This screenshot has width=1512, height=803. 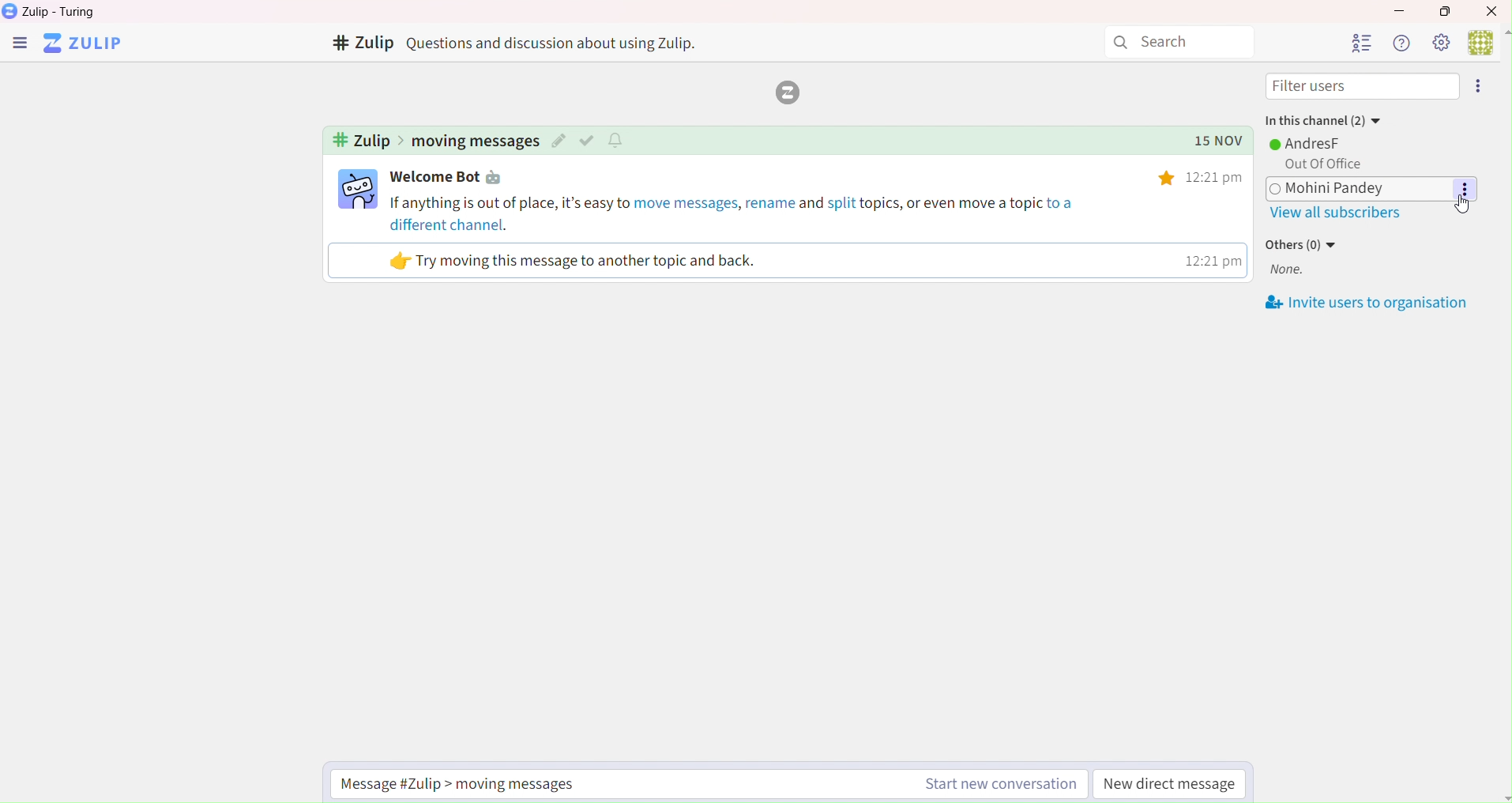 I want to click on notify, so click(x=619, y=139).